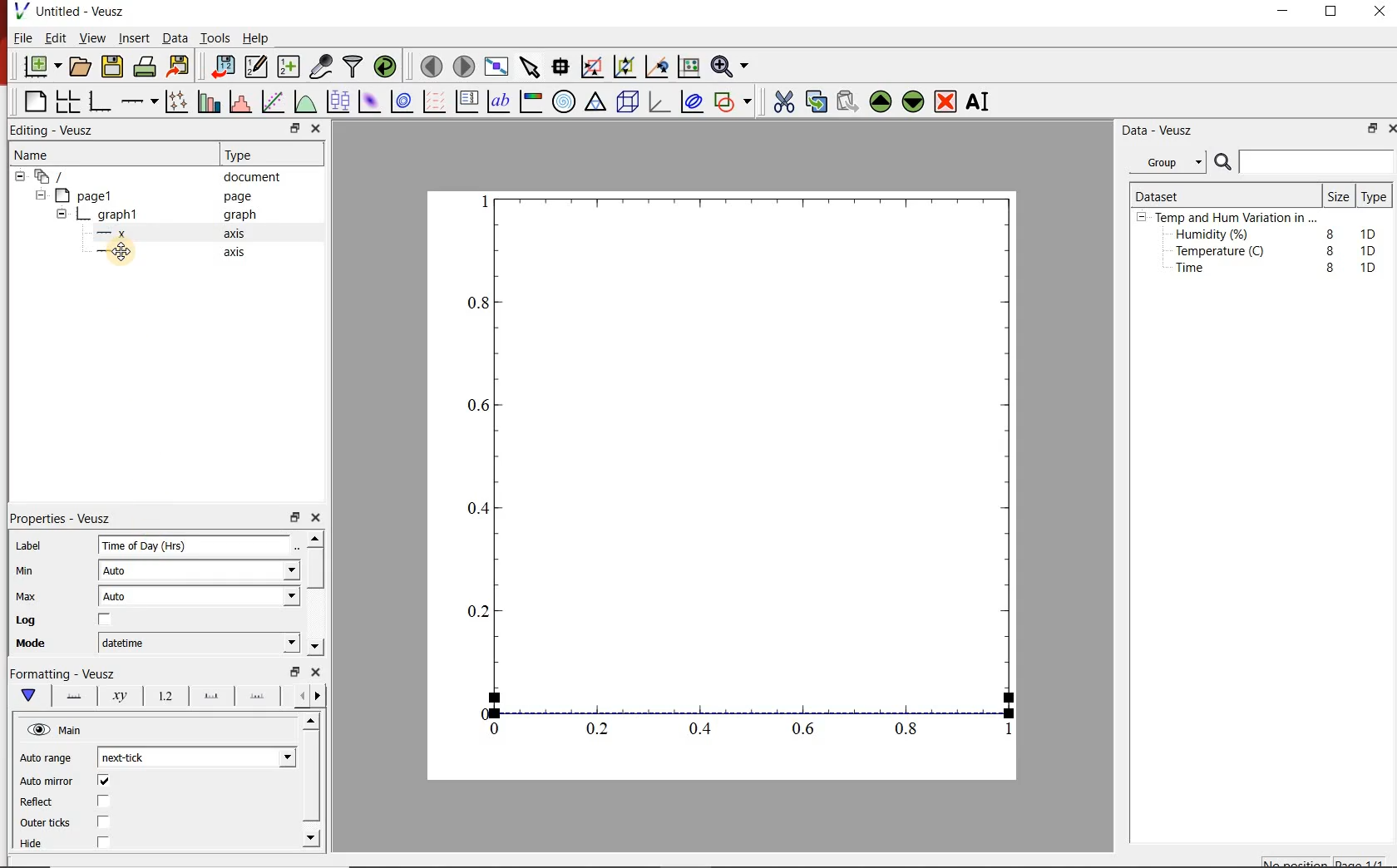  Describe the element at coordinates (57, 130) in the screenshot. I see `Editing - Veusz` at that location.